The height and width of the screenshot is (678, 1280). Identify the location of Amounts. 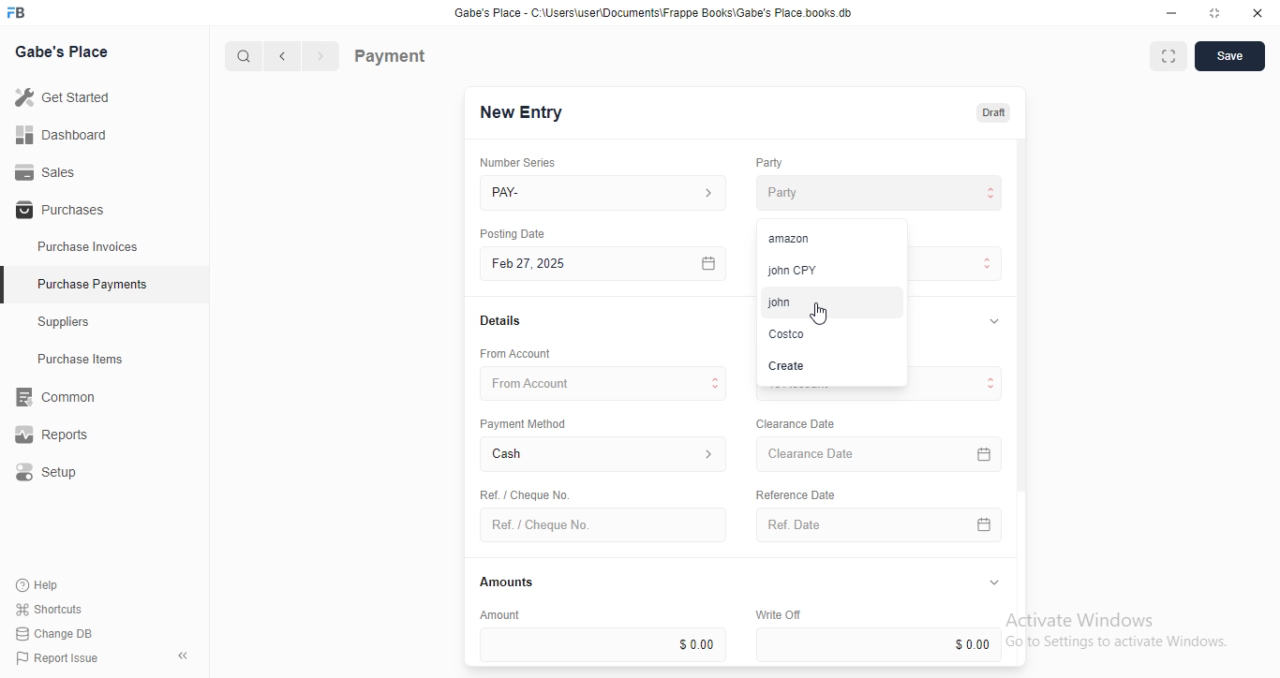
(502, 582).